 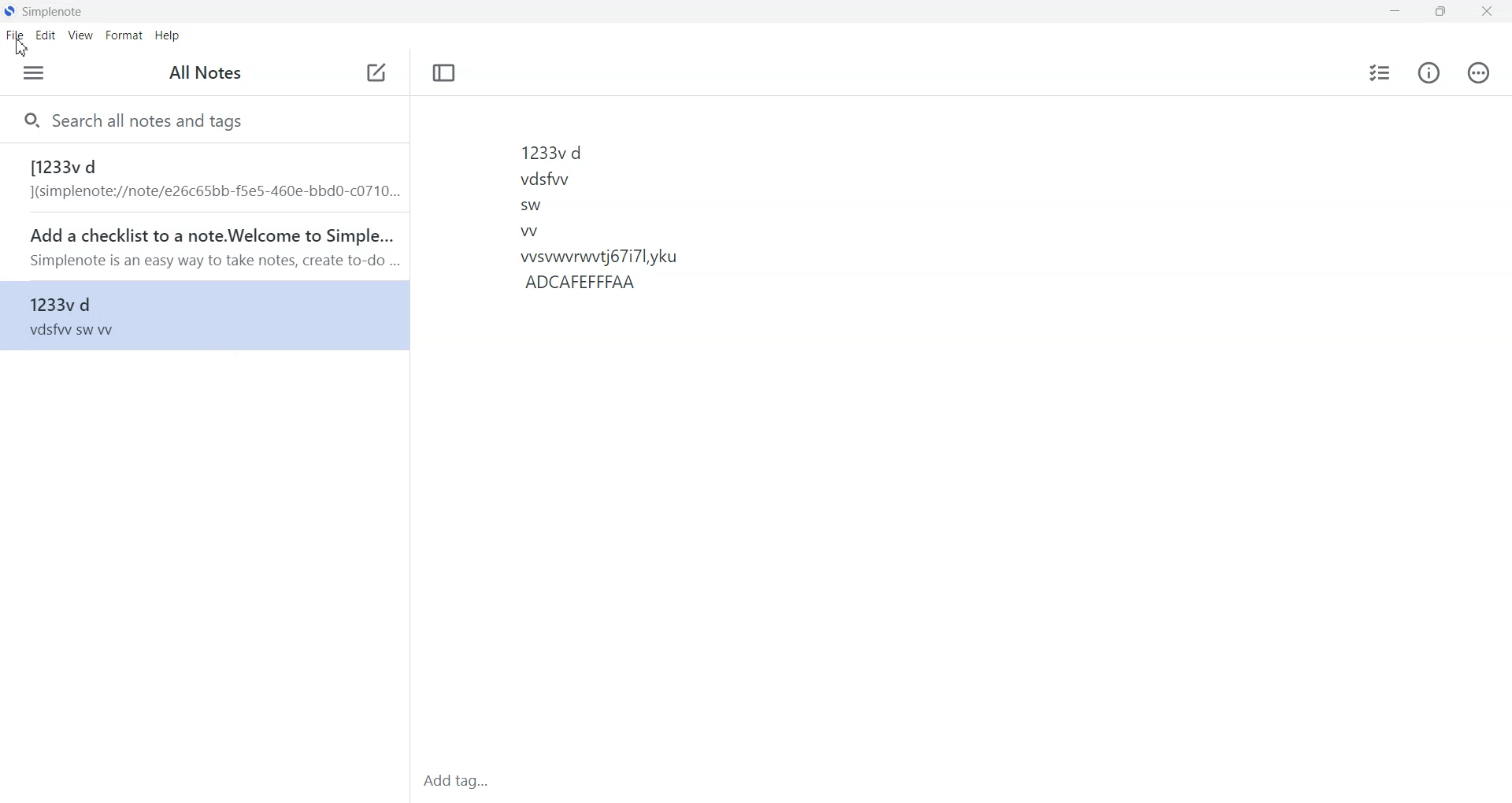 What do you see at coordinates (1395, 12) in the screenshot?
I see `Minimize` at bounding box center [1395, 12].